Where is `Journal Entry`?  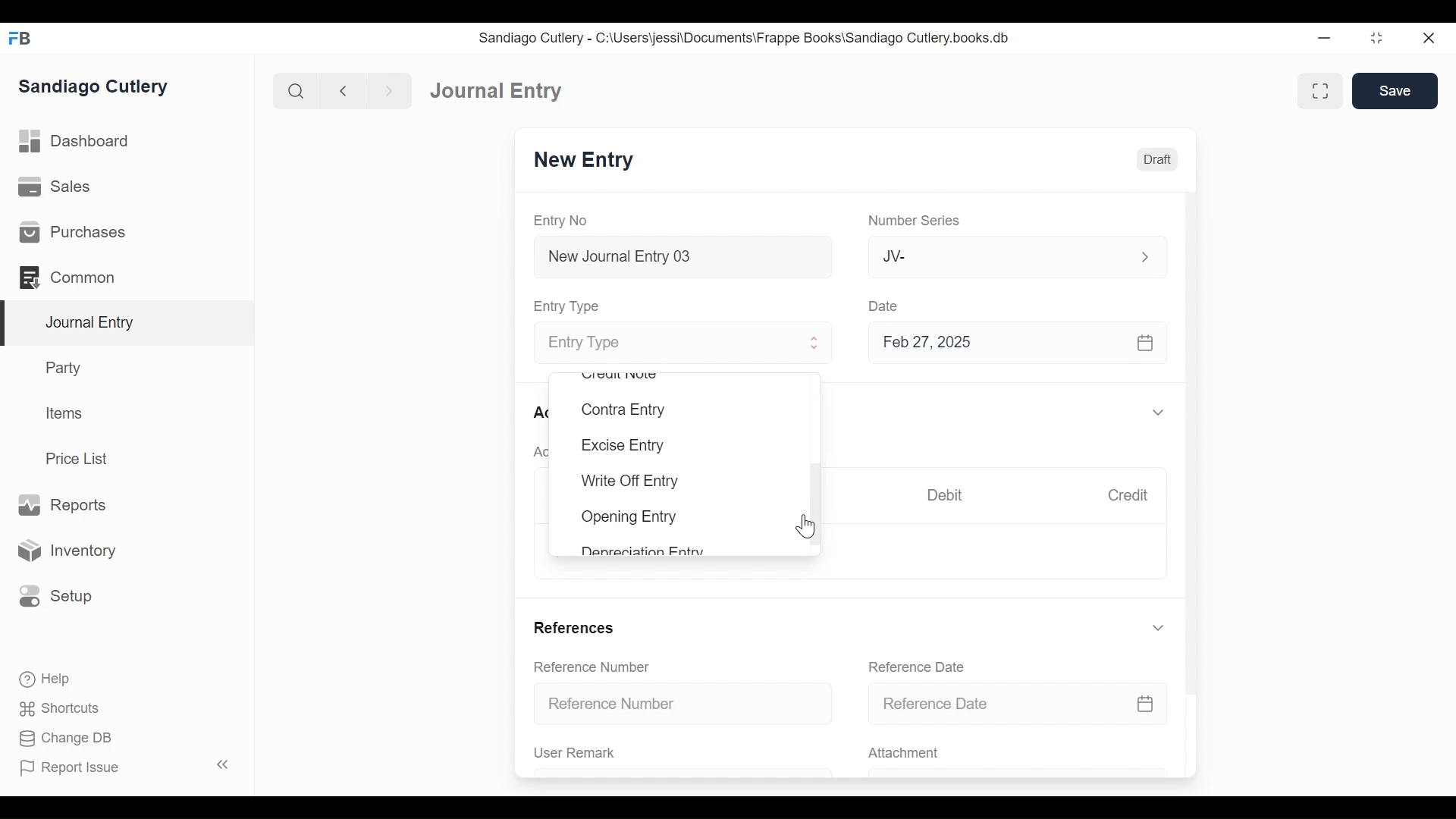 Journal Entry is located at coordinates (124, 324).